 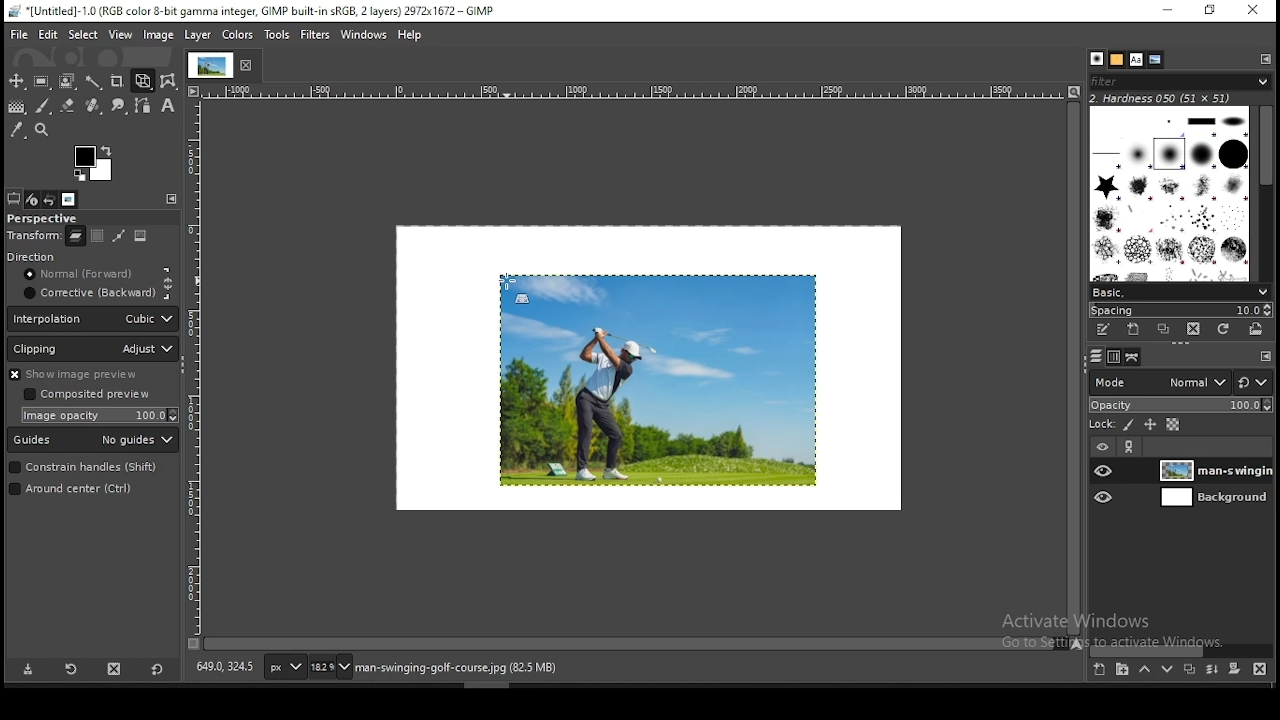 What do you see at coordinates (1103, 425) in the screenshot?
I see `lock` at bounding box center [1103, 425].